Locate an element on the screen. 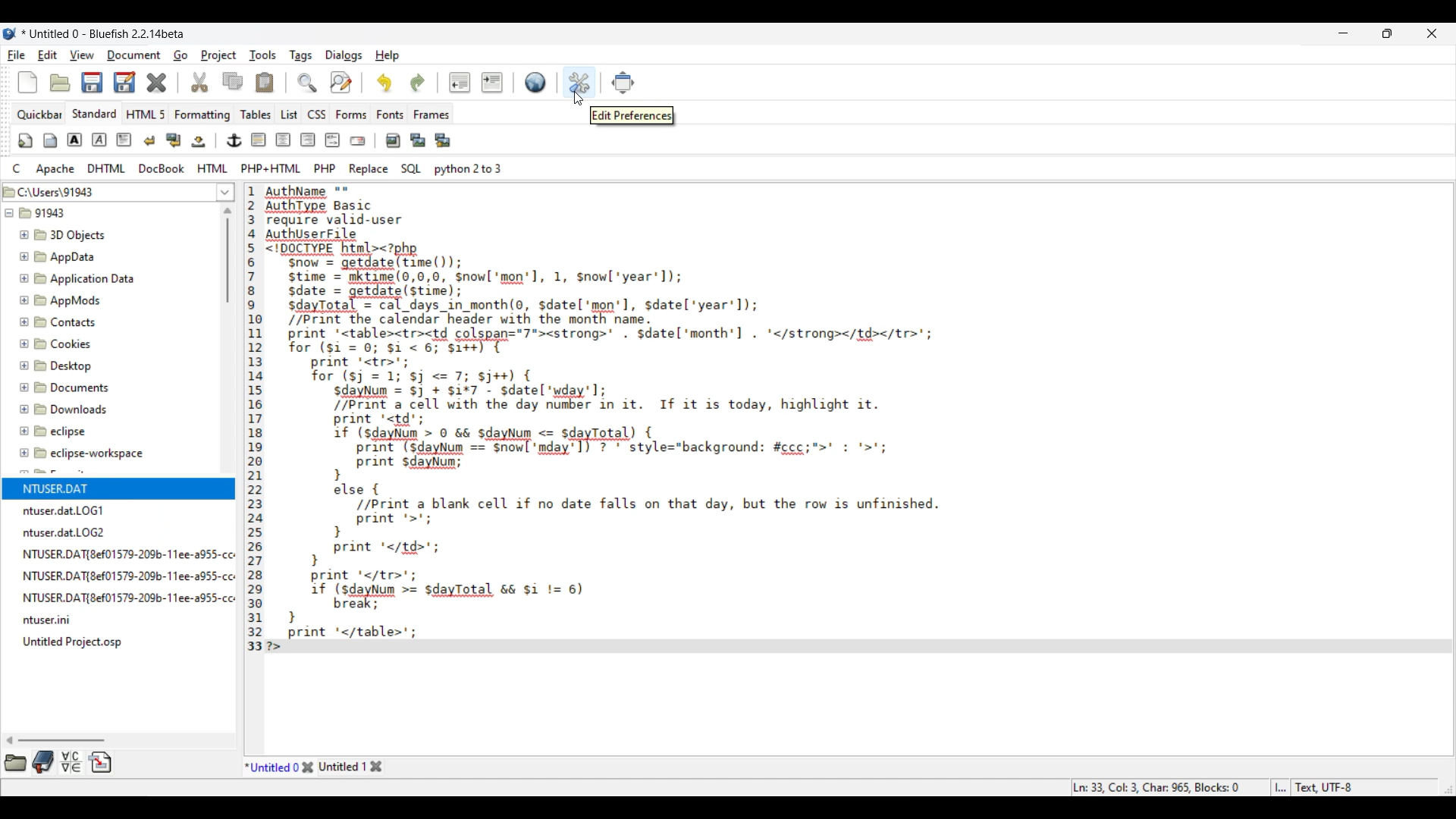  Dialogs menu is located at coordinates (344, 56).